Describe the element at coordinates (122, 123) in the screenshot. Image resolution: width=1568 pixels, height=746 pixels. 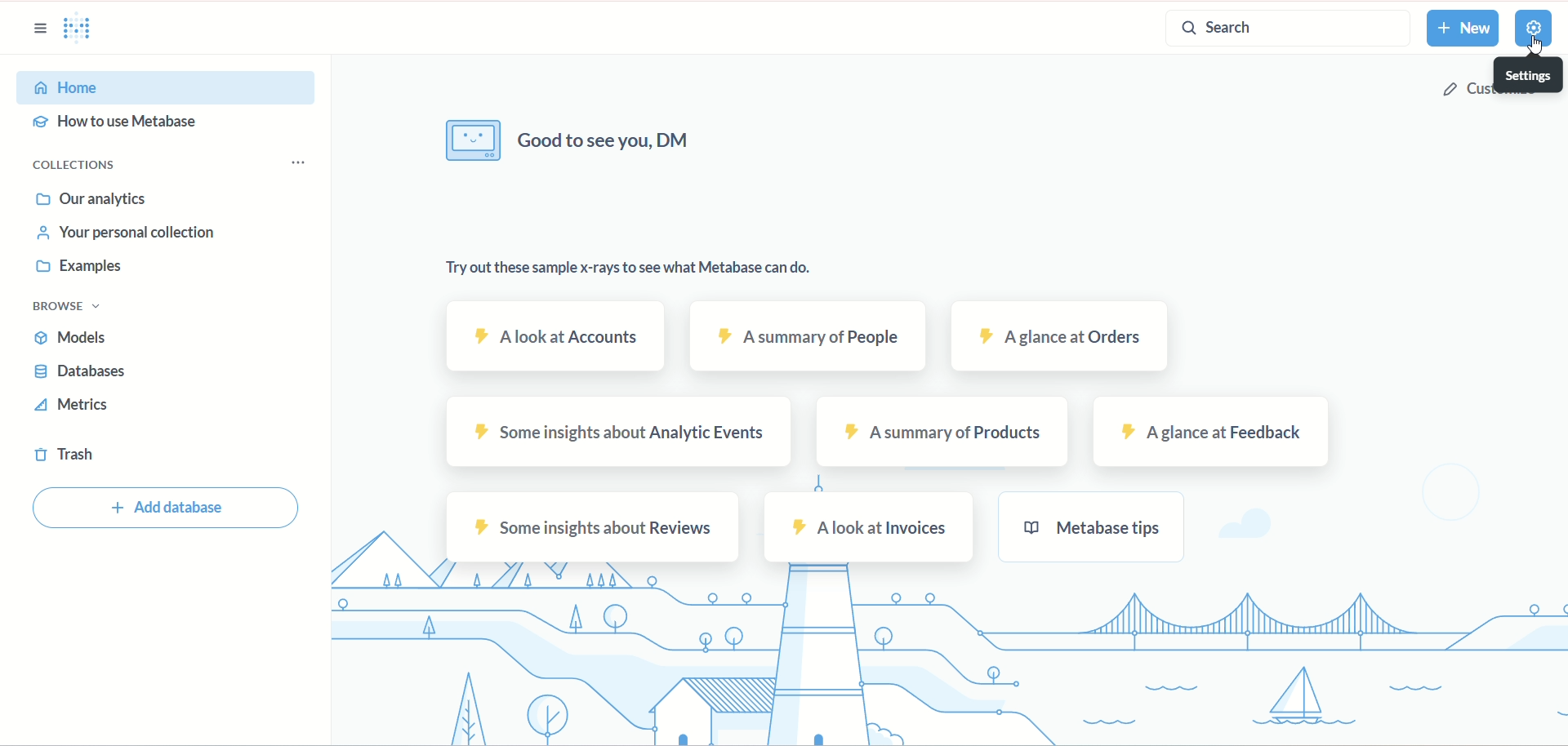
I see `how to use metabase` at that location.